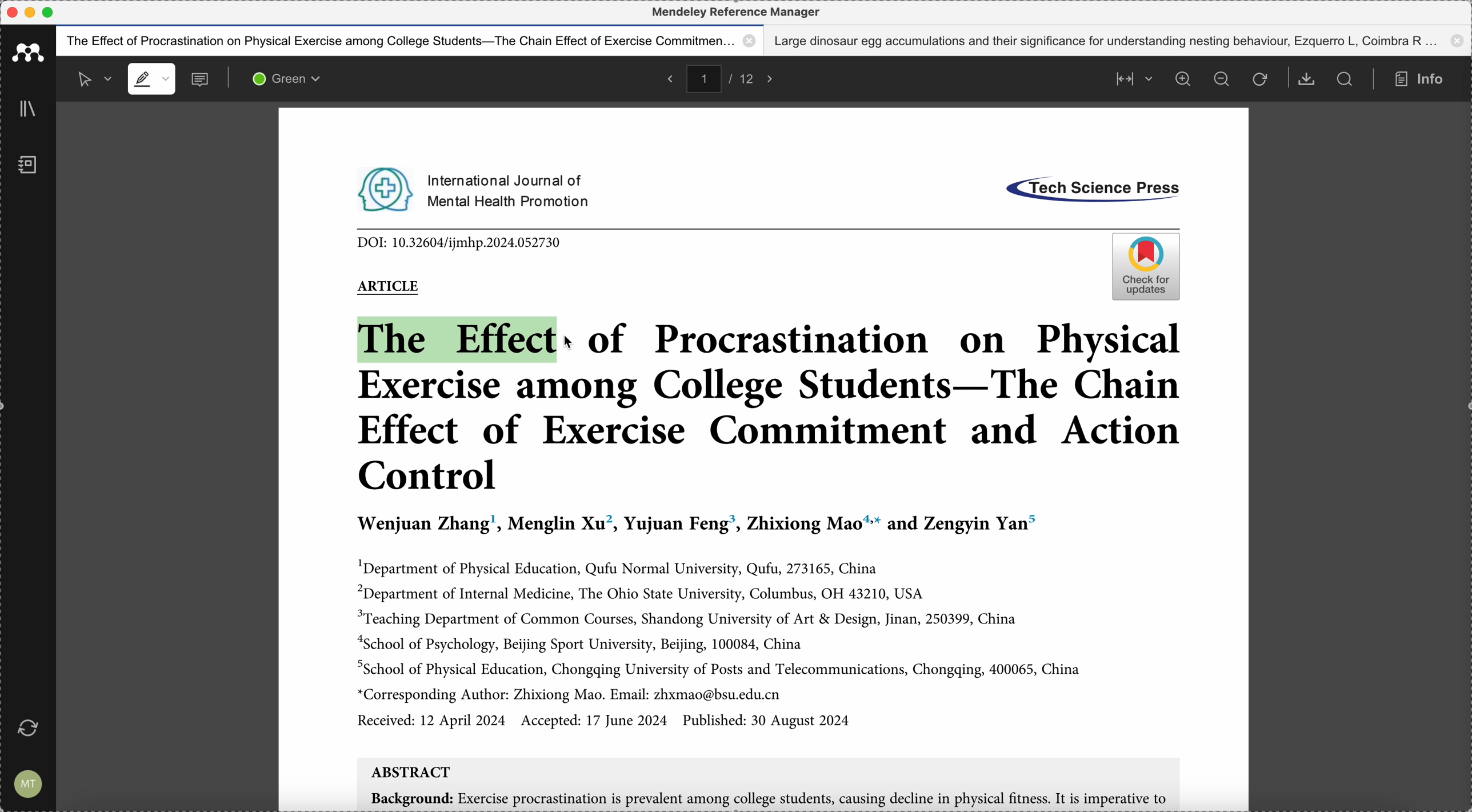  What do you see at coordinates (1345, 79) in the screenshot?
I see `search` at bounding box center [1345, 79].